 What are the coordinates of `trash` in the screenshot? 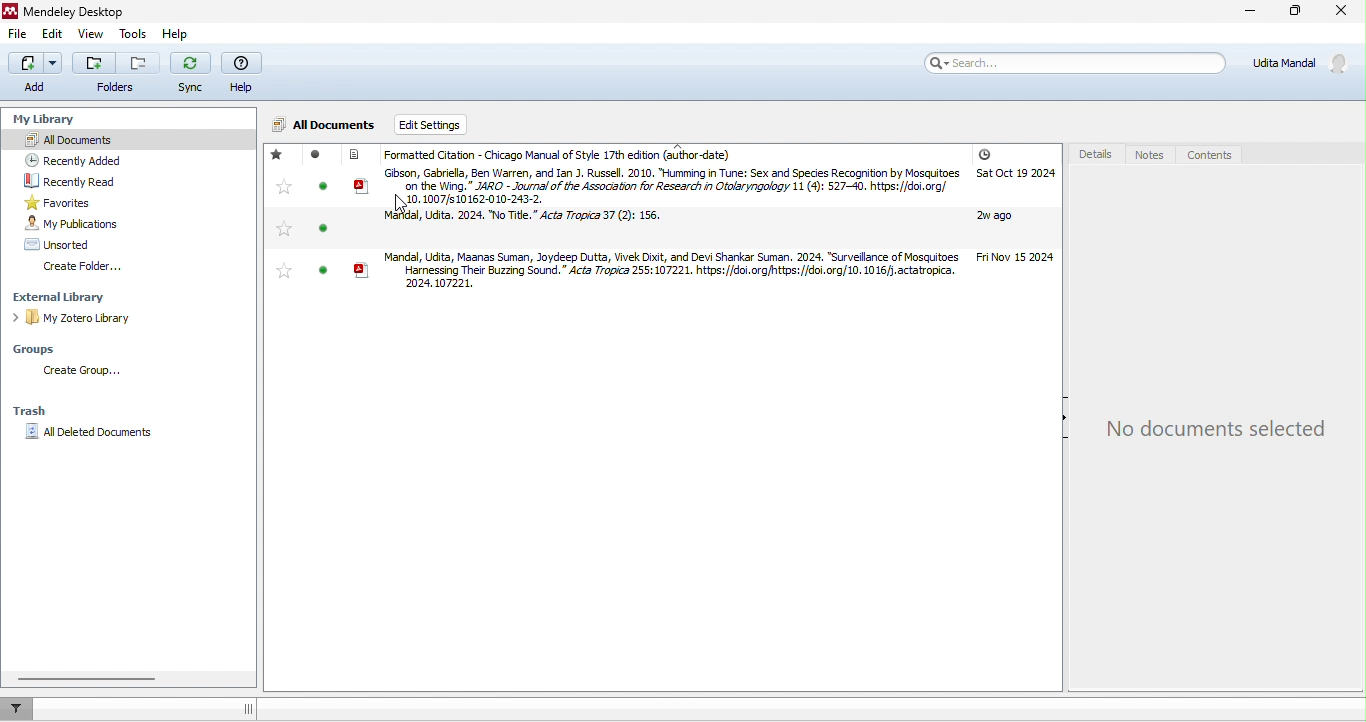 It's located at (31, 411).